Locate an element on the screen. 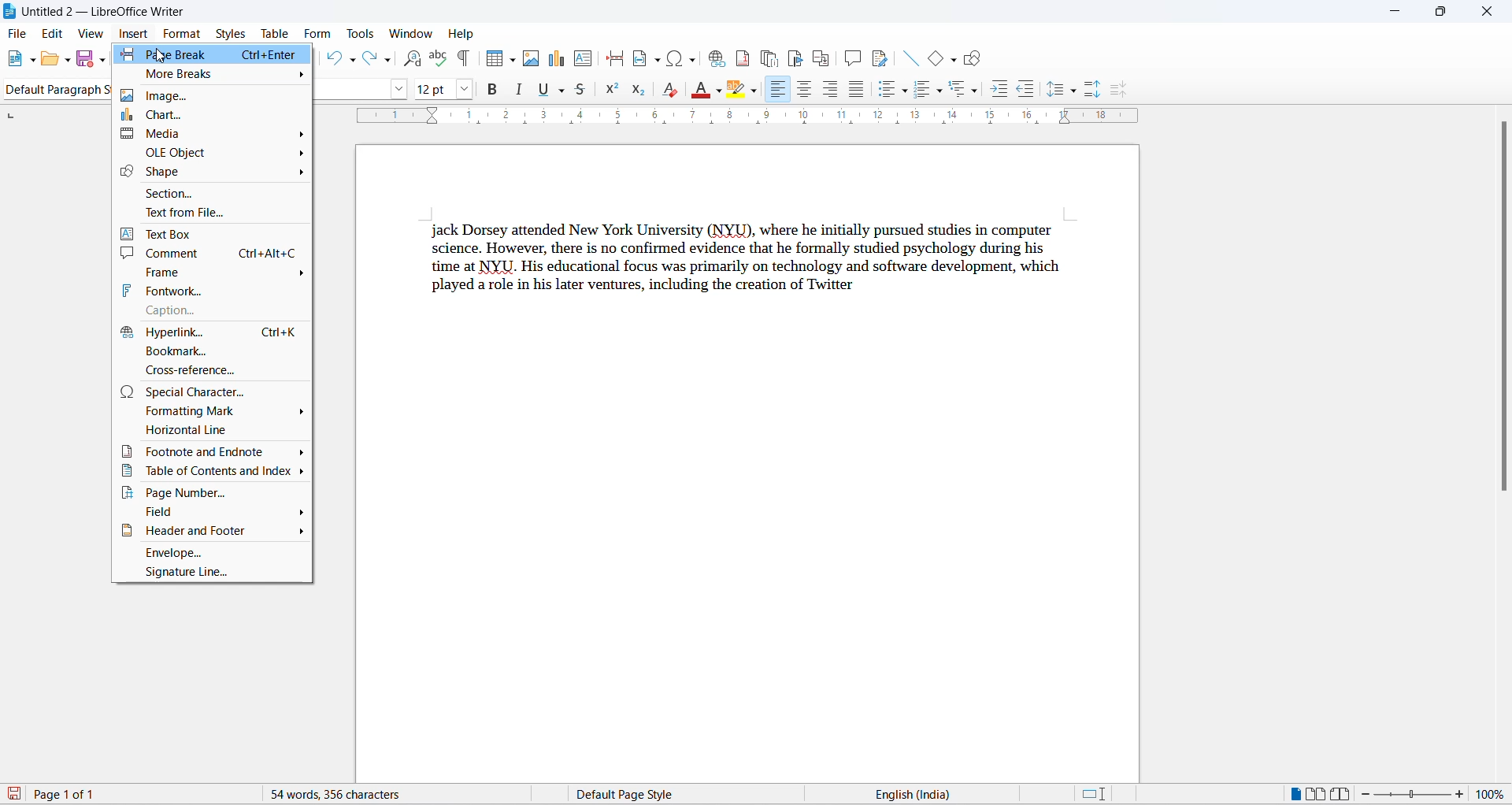 This screenshot has width=1512, height=805. zoom slider is located at coordinates (1414, 795).